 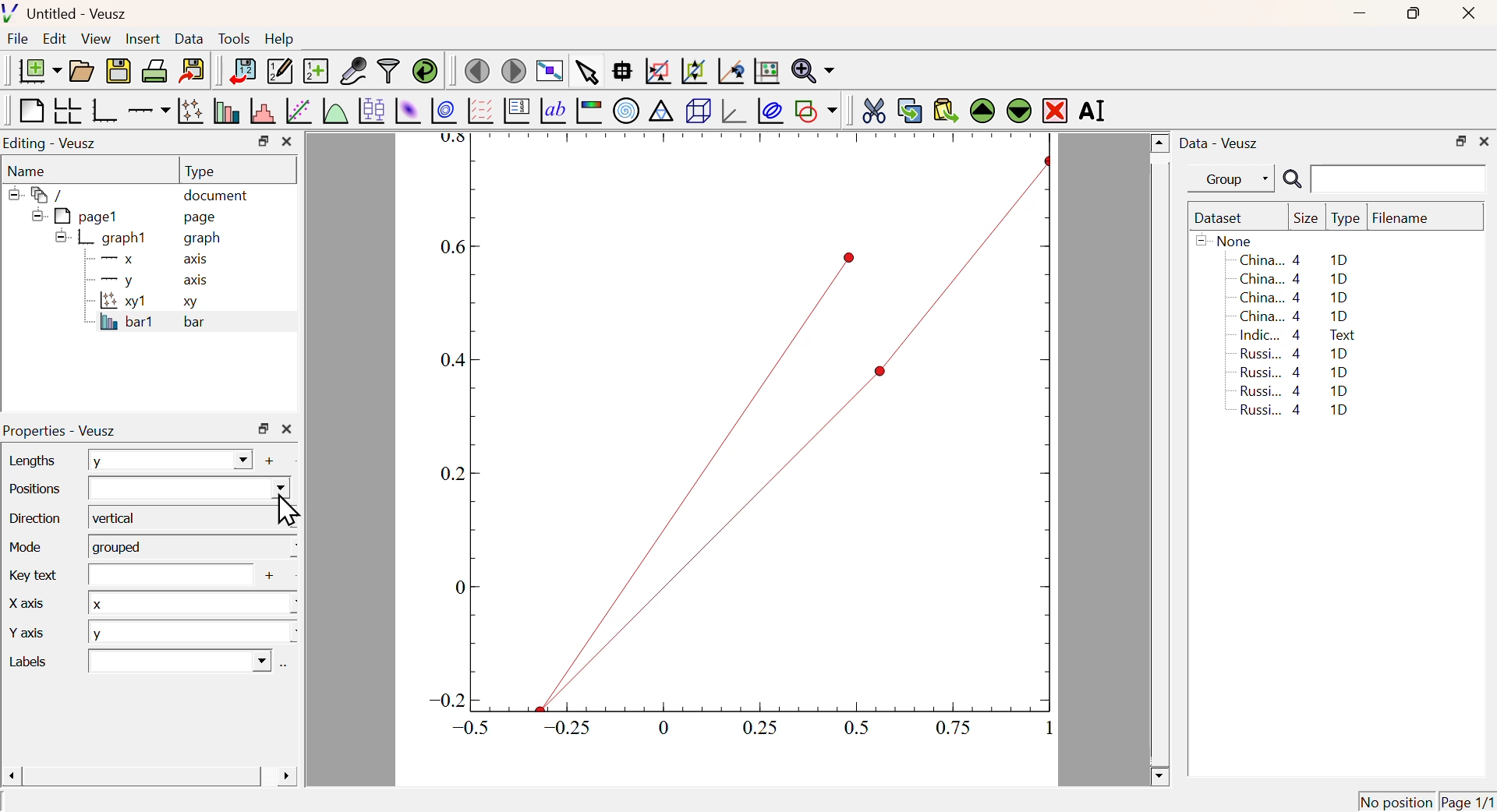 What do you see at coordinates (30, 574) in the screenshot?
I see `Key Text` at bounding box center [30, 574].